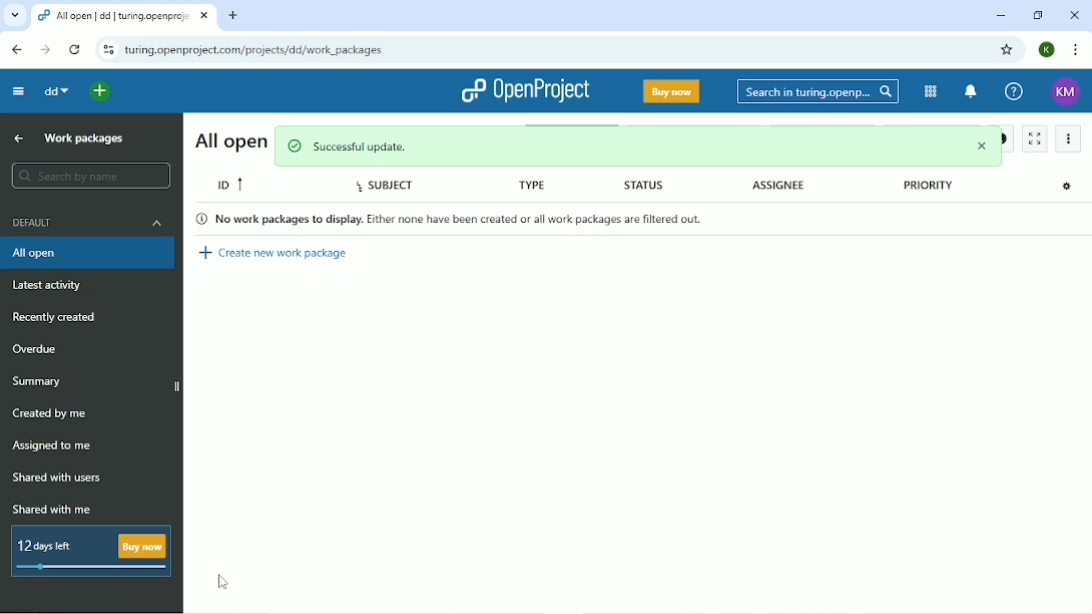 The height and width of the screenshot is (614, 1092). Describe the element at coordinates (87, 253) in the screenshot. I see `All open` at that location.